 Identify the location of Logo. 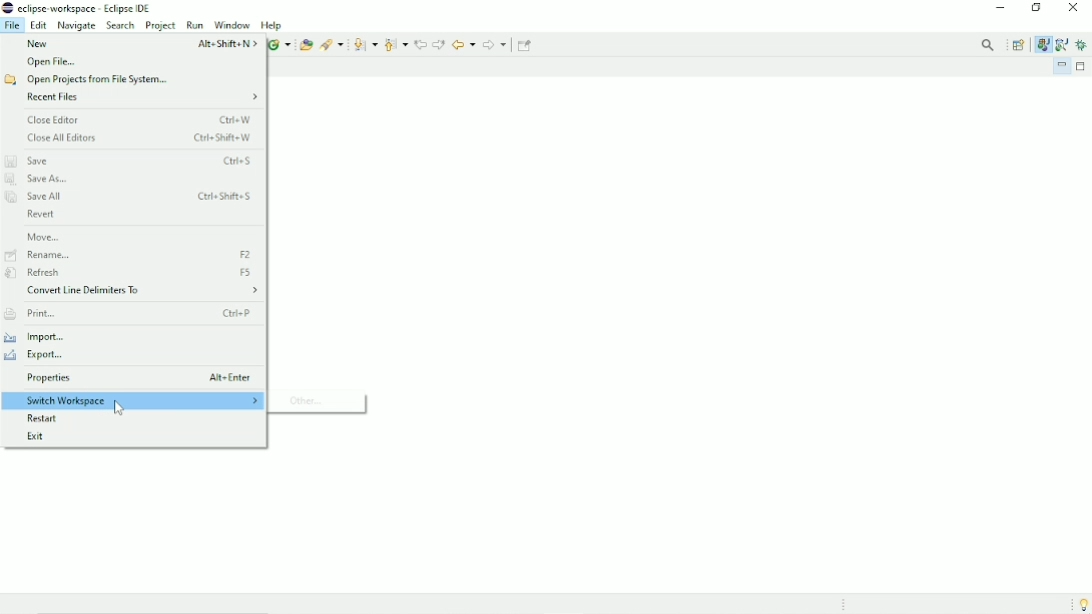
(7, 8).